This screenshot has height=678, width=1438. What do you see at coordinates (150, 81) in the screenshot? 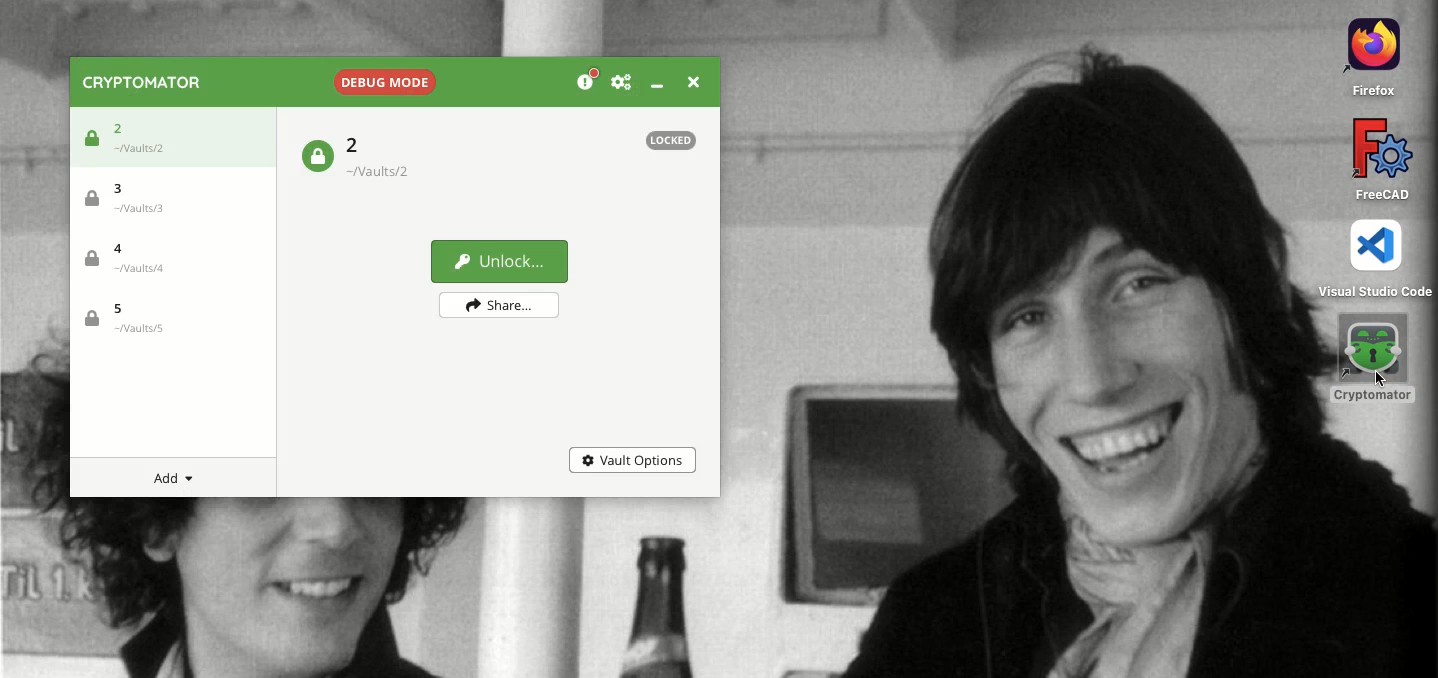
I see `Cryptomator` at bounding box center [150, 81].